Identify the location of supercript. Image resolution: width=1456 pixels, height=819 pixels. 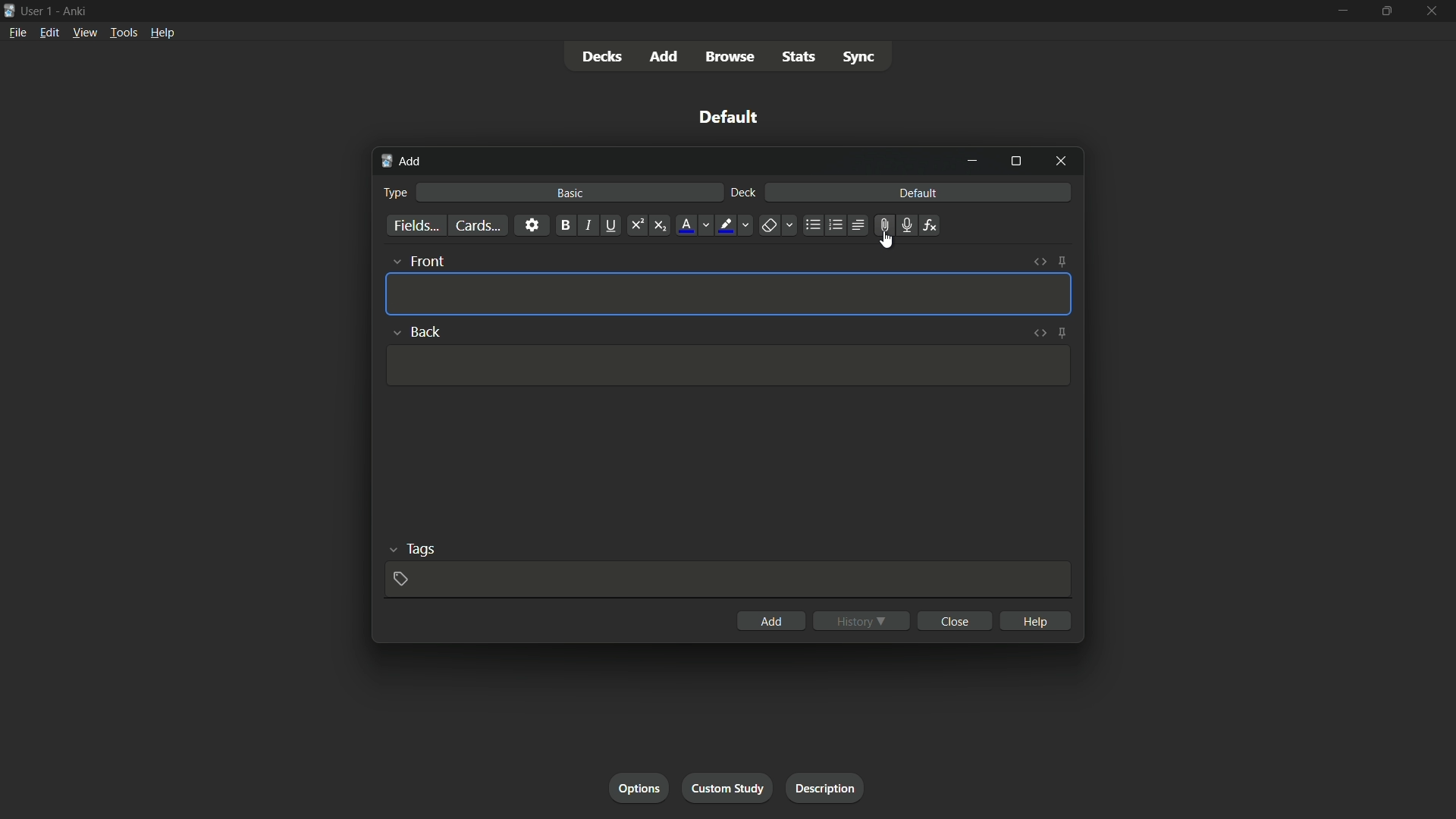
(639, 225).